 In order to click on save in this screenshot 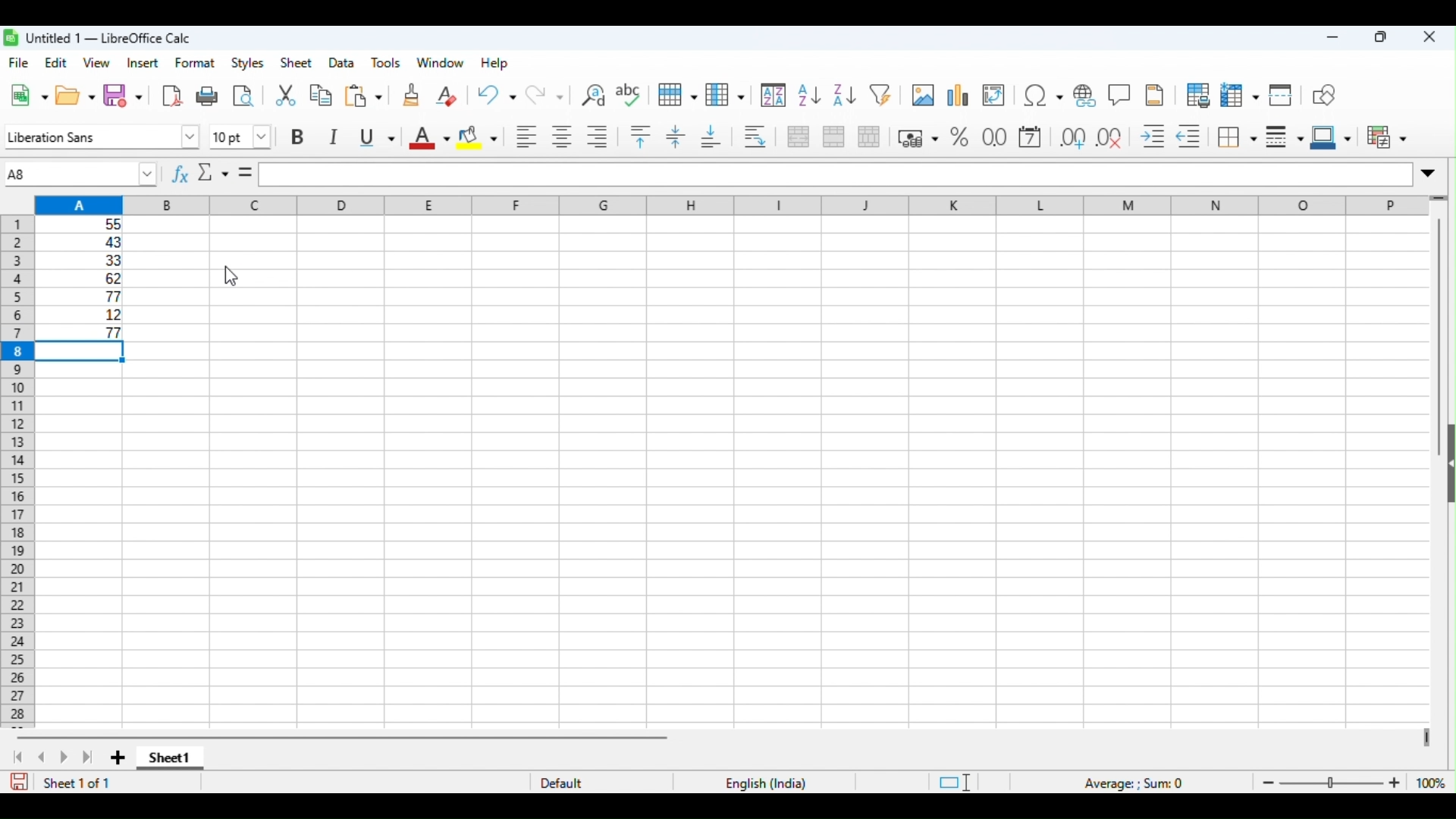, I will do `click(123, 96)`.